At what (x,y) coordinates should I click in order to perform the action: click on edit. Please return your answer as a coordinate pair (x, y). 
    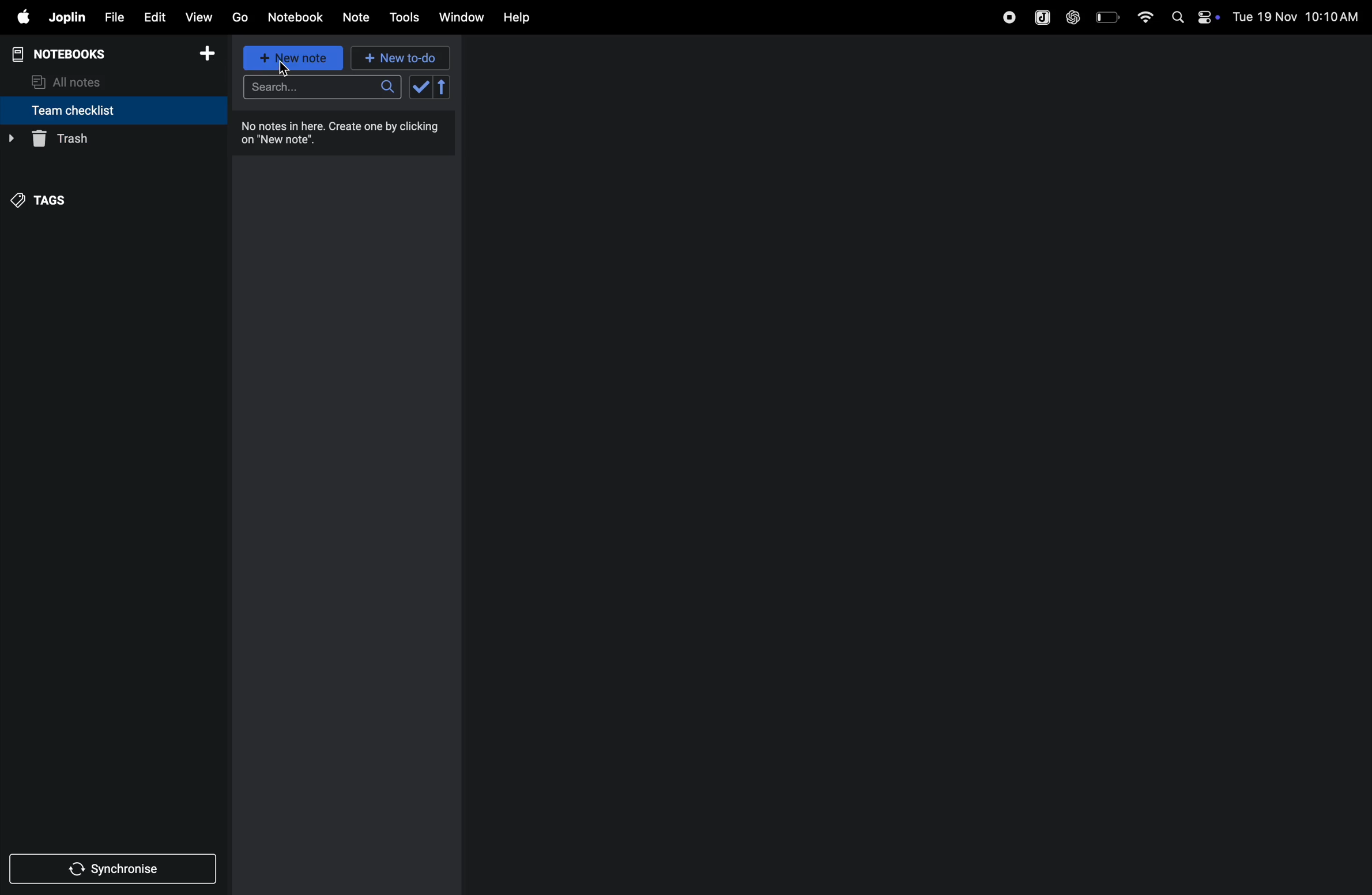
    Looking at the image, I should click on (154, 16).